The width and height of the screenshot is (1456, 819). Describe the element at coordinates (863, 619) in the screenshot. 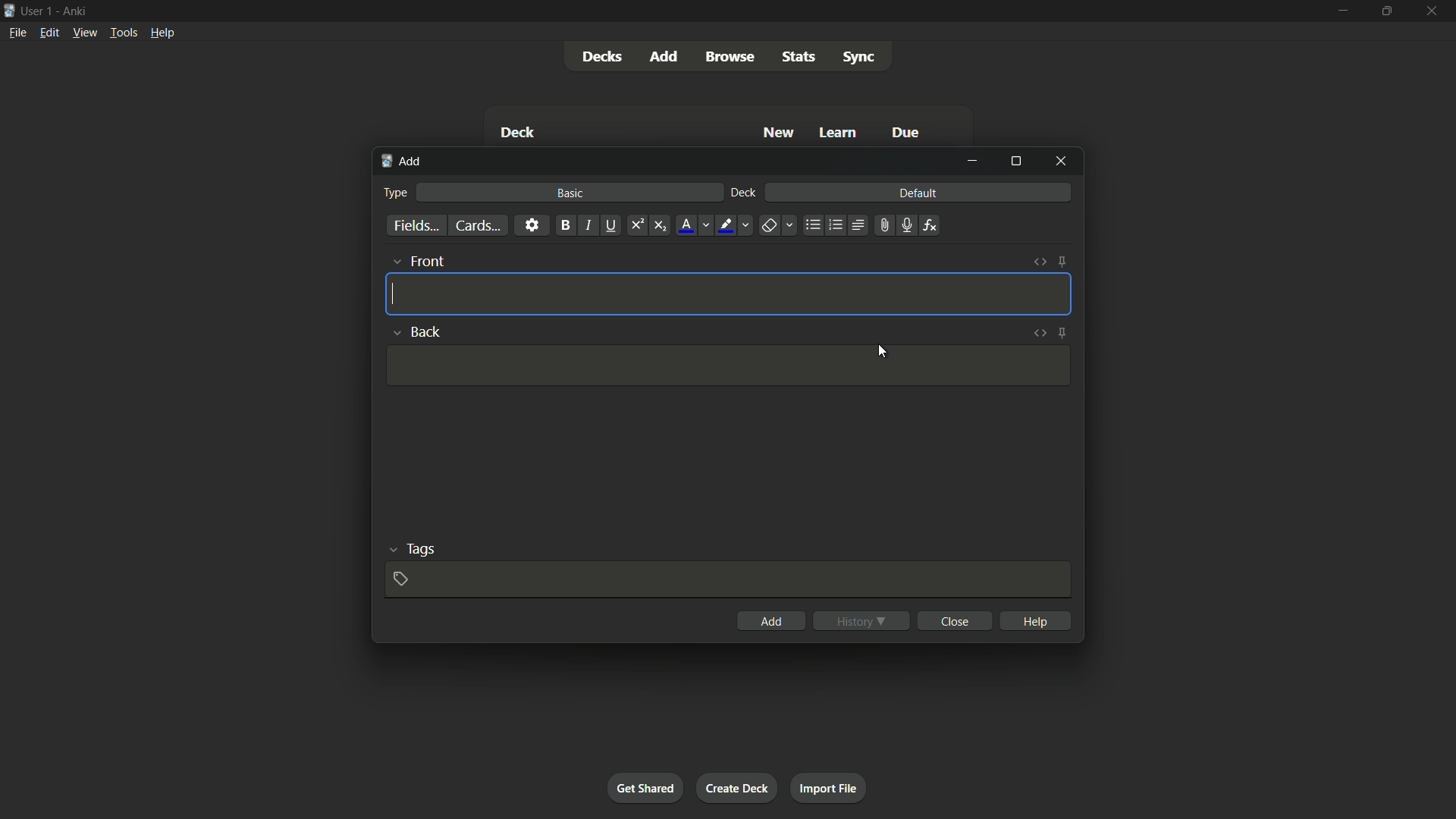

I see `history` at that location.